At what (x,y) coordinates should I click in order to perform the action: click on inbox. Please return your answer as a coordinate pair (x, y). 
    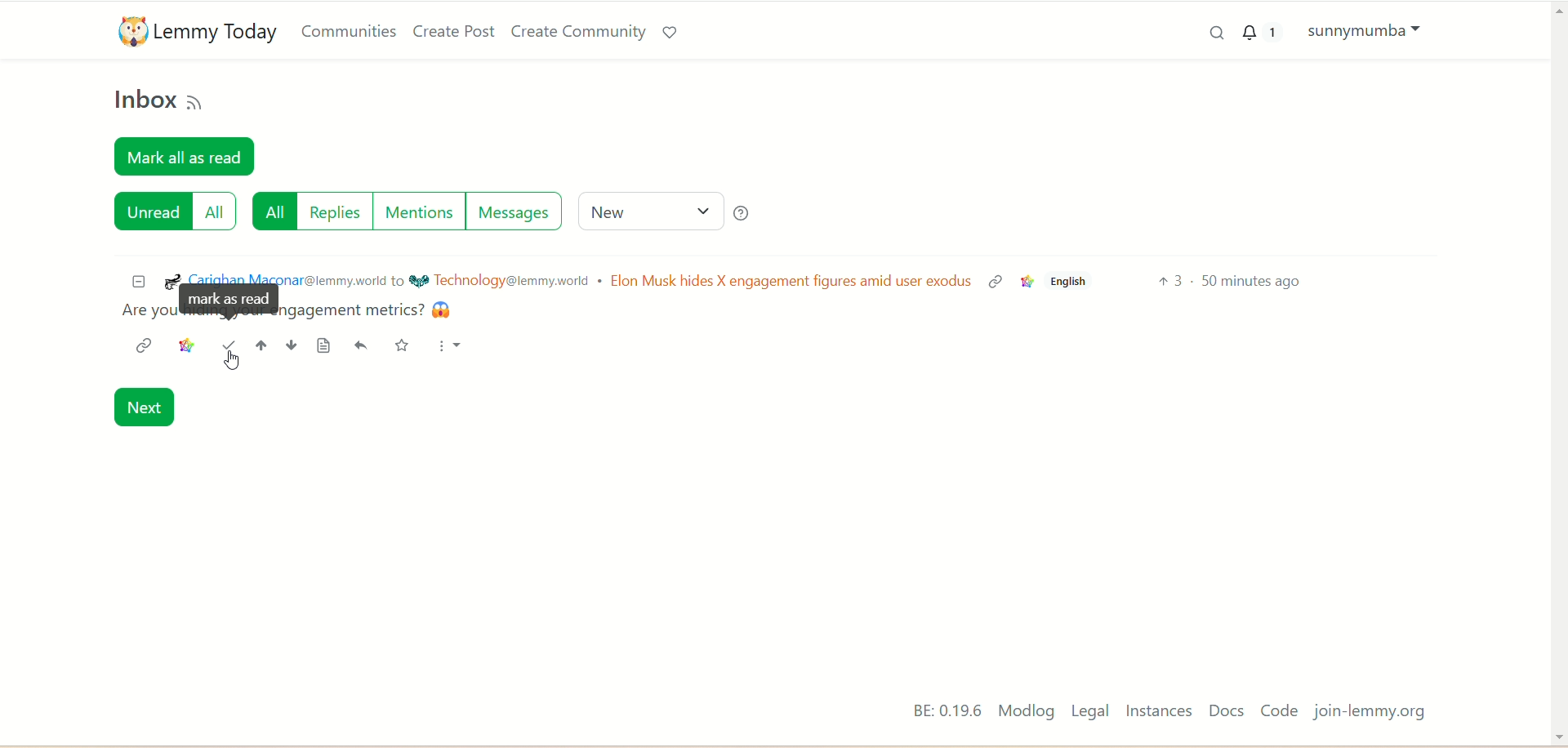
    Looking at the image, I should click on (141, 103).